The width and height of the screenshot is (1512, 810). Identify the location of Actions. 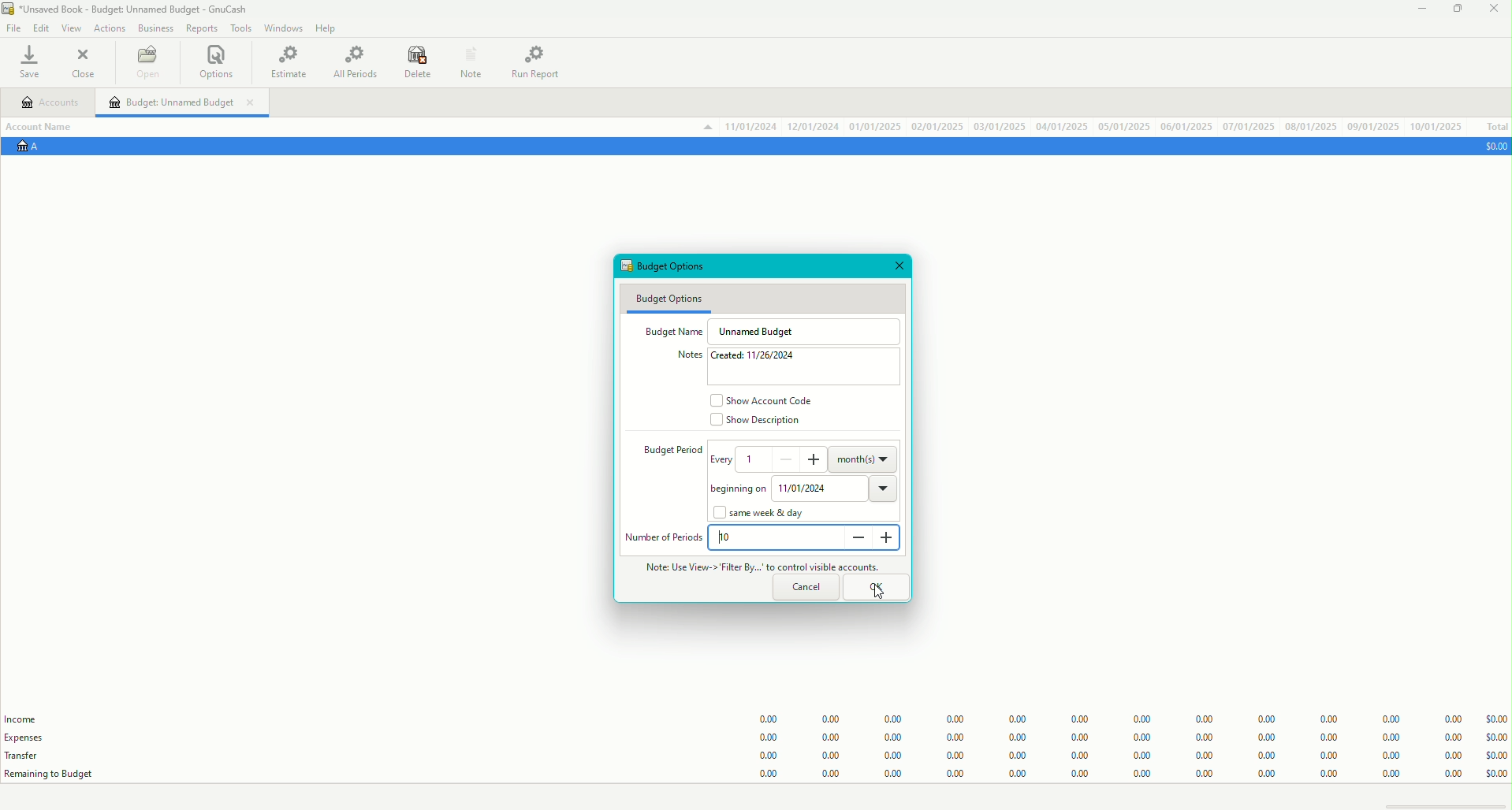
(109, 28).